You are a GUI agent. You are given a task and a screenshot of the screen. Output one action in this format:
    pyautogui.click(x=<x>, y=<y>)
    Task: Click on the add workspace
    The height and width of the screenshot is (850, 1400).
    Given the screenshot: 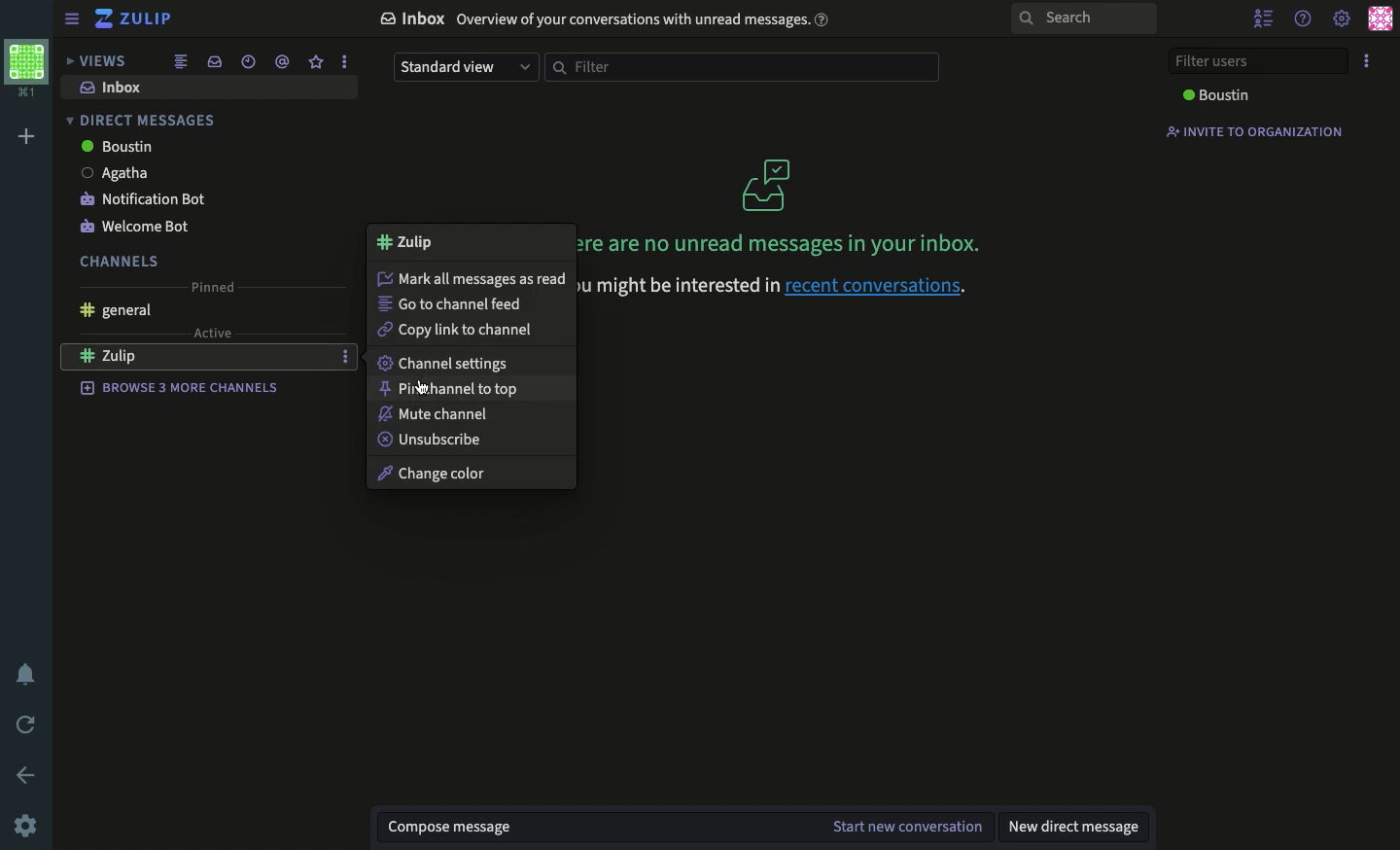 What is the action you would take?
    pyautogui.click(x=29, y=138)
    